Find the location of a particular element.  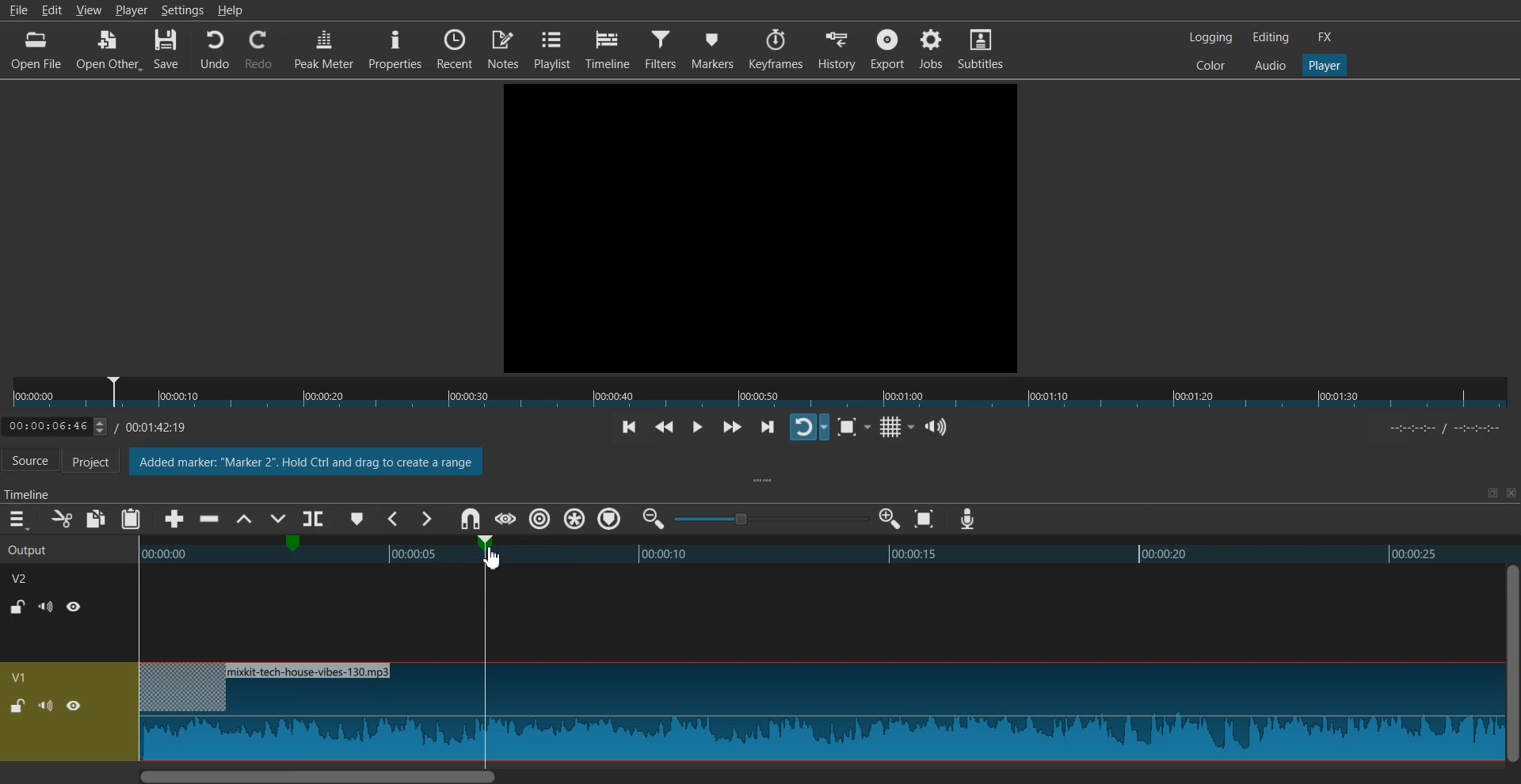

Filters is located at coordinates (661, 48).